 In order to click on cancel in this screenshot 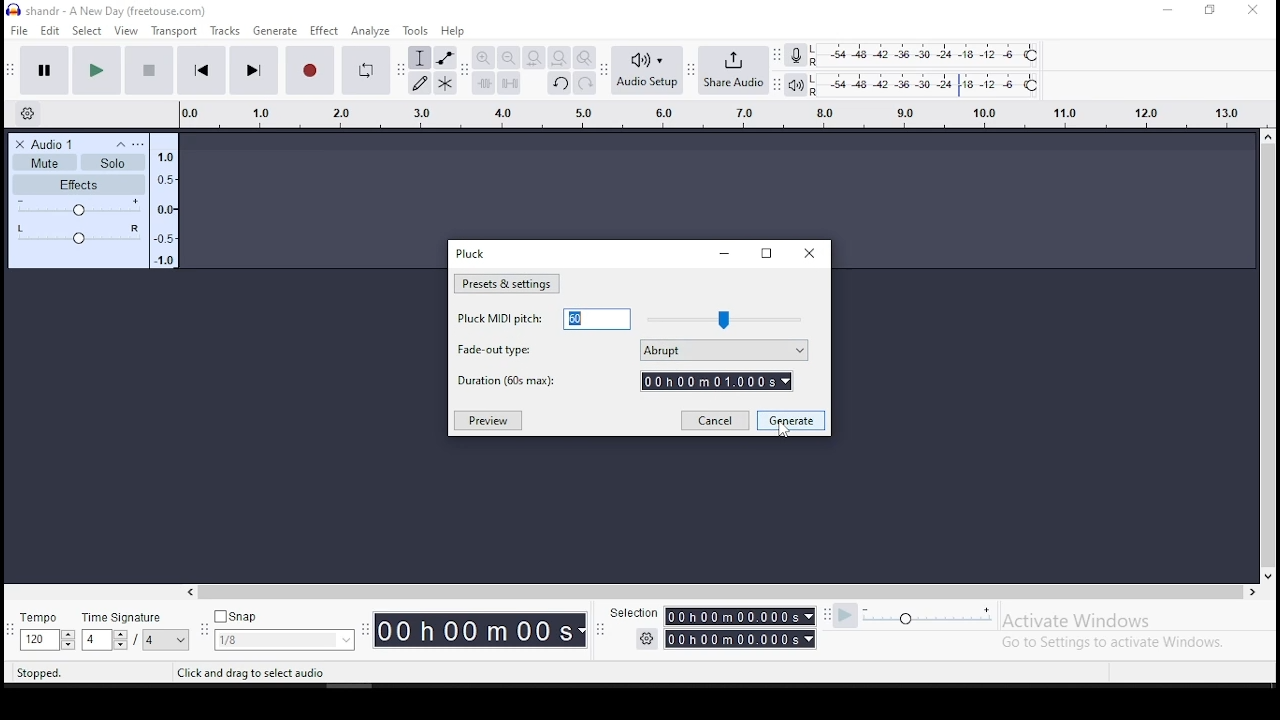, I will do `click(716, 420)`.